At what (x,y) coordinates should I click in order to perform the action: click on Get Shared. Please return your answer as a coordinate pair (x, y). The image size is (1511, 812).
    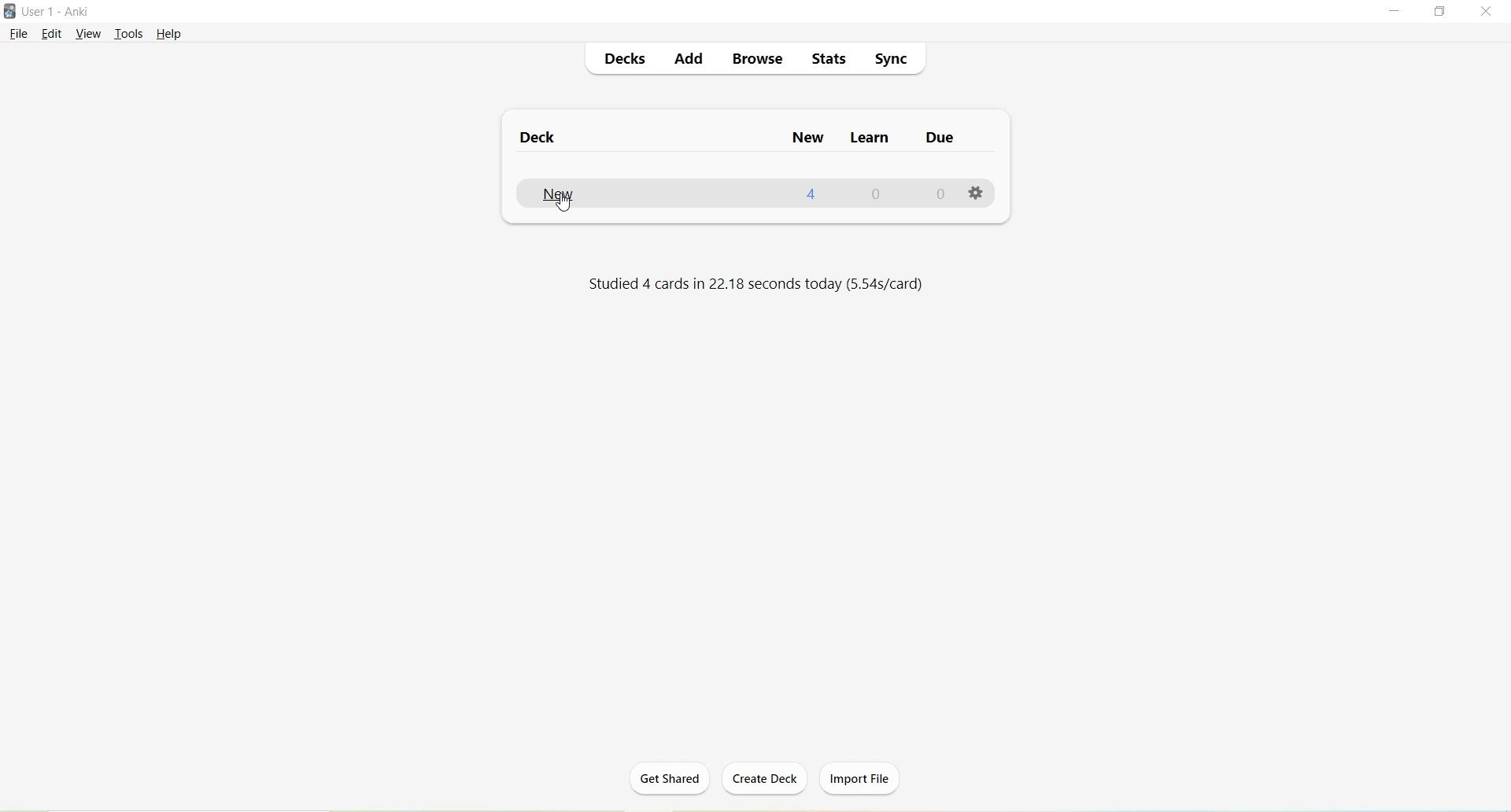
    Looking at the image, I should click on (672, 781).